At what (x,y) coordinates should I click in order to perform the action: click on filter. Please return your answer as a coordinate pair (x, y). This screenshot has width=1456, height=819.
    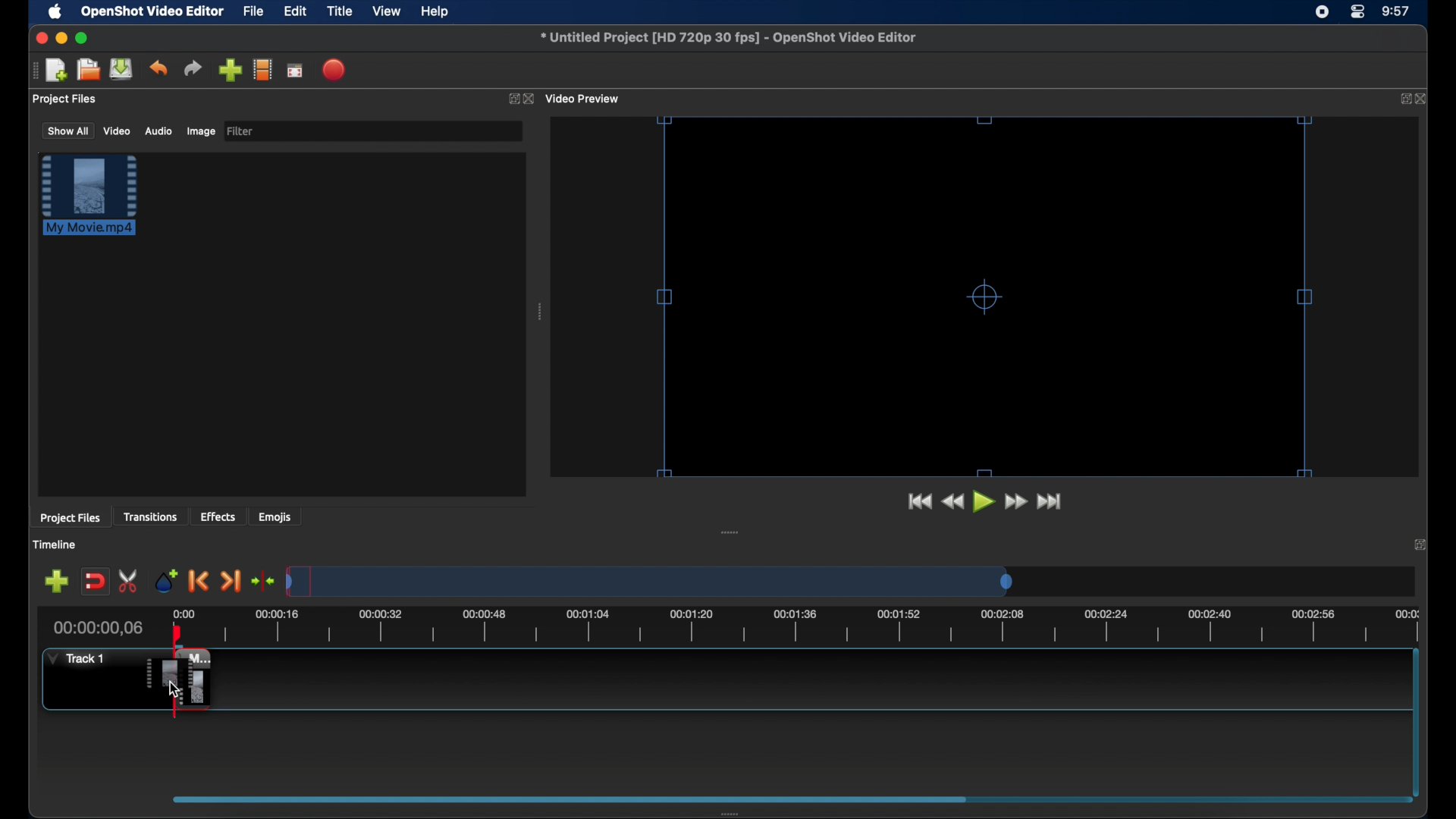
    Looking at the image, I should click on (241, 131).